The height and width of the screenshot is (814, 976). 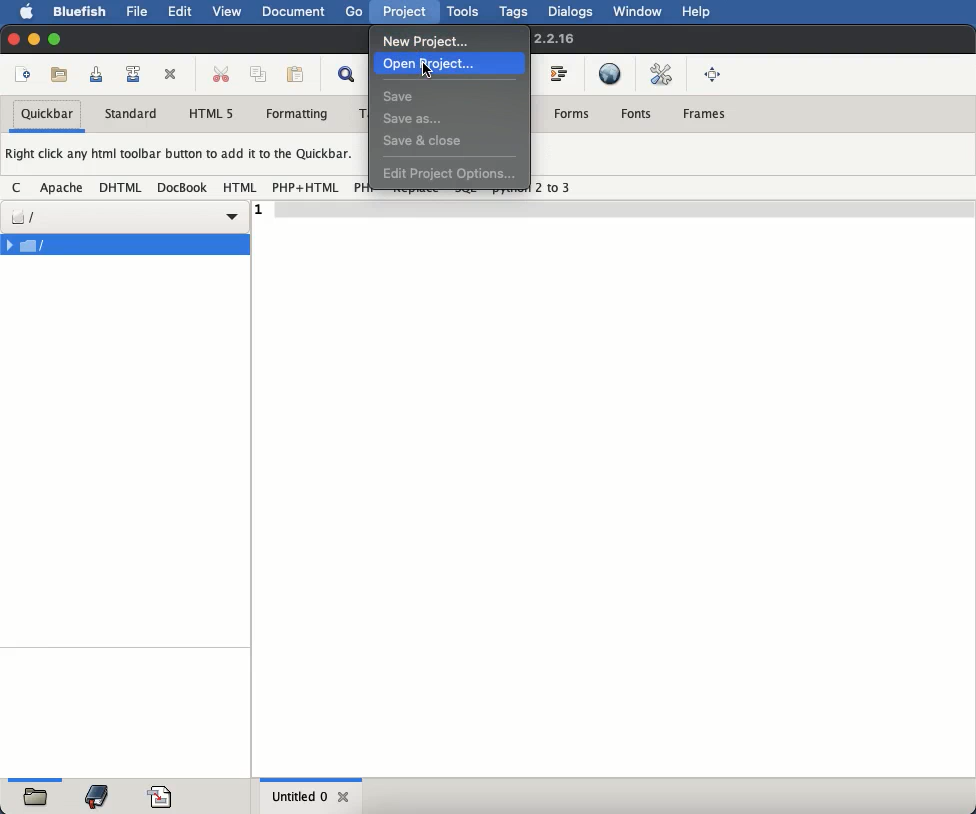 I want to click on quickbar, so click(x=49, y=115).